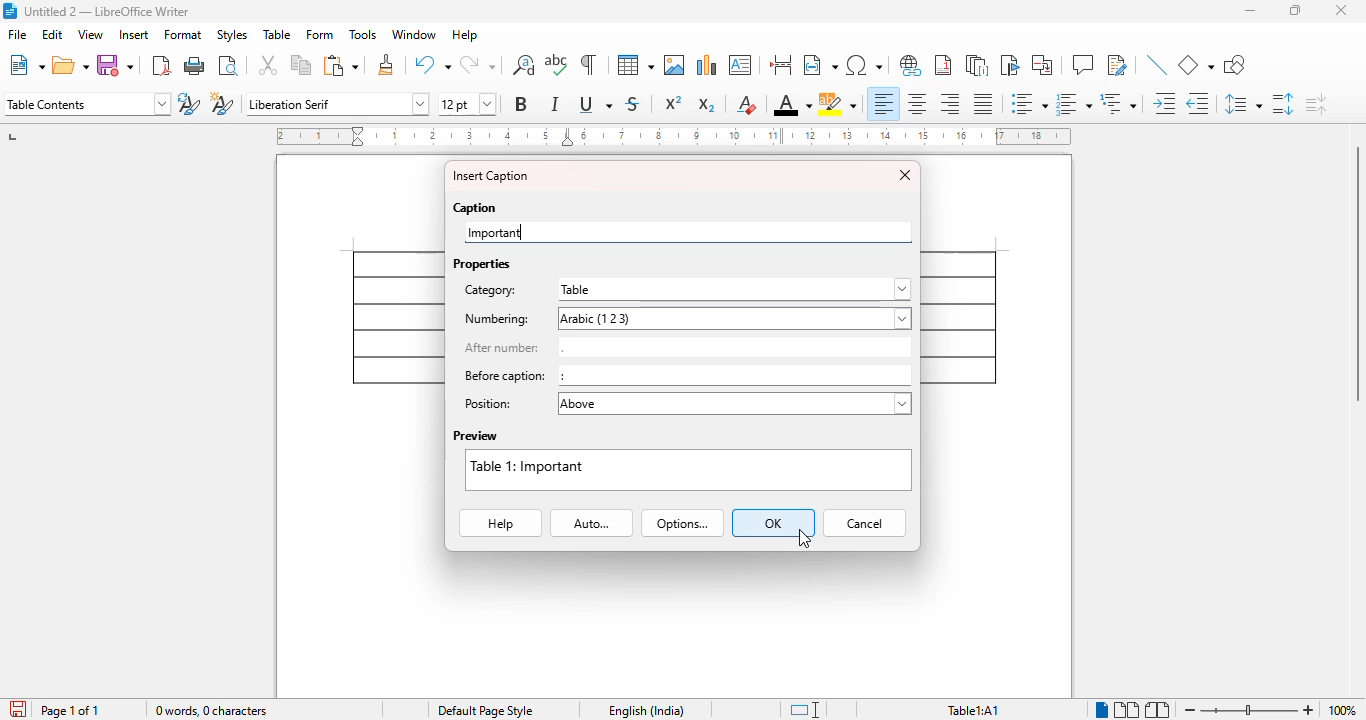 The width and height of the screenshot is (1366, 720). I want to click on cursor, so click(805, 539).